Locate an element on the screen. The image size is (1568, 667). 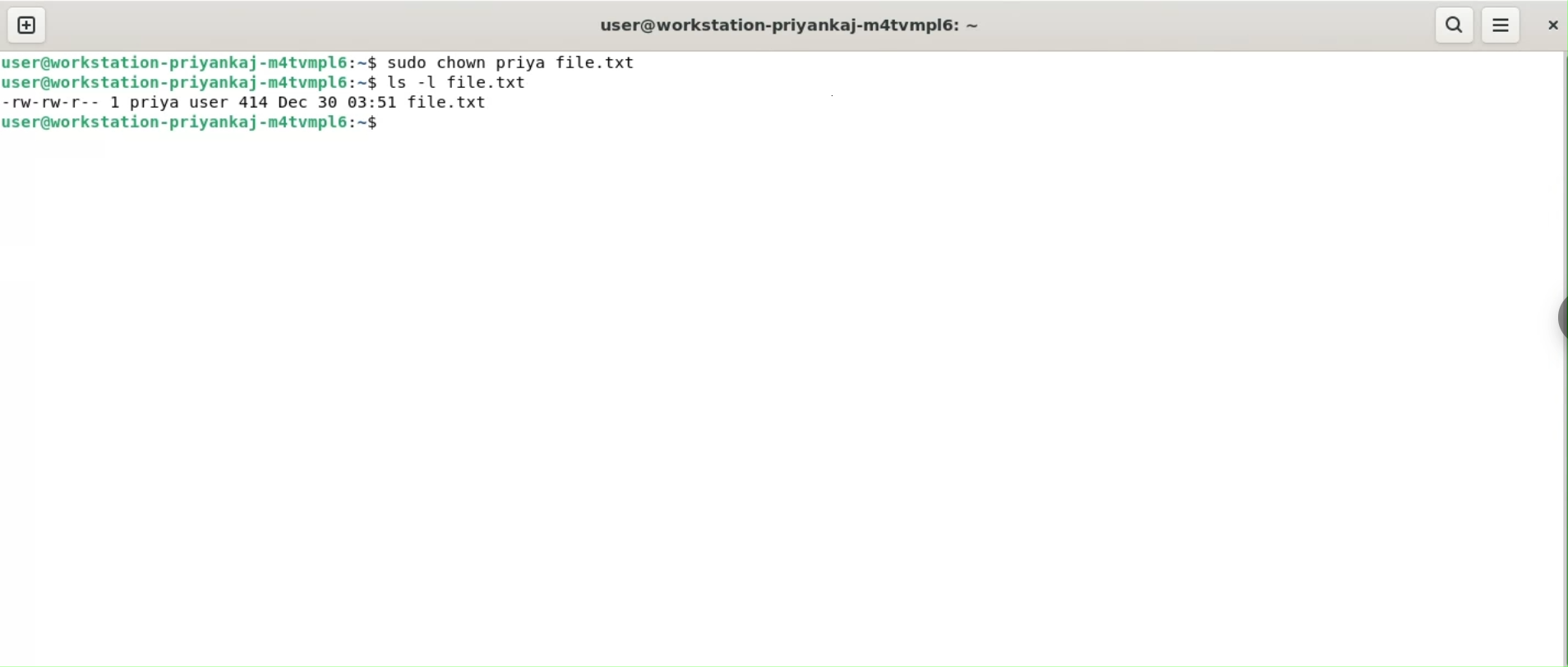
-rw-rw-r-- 1 priya user 414 Dec 30 03:51 file.txt is located at coordinates (256, 103).